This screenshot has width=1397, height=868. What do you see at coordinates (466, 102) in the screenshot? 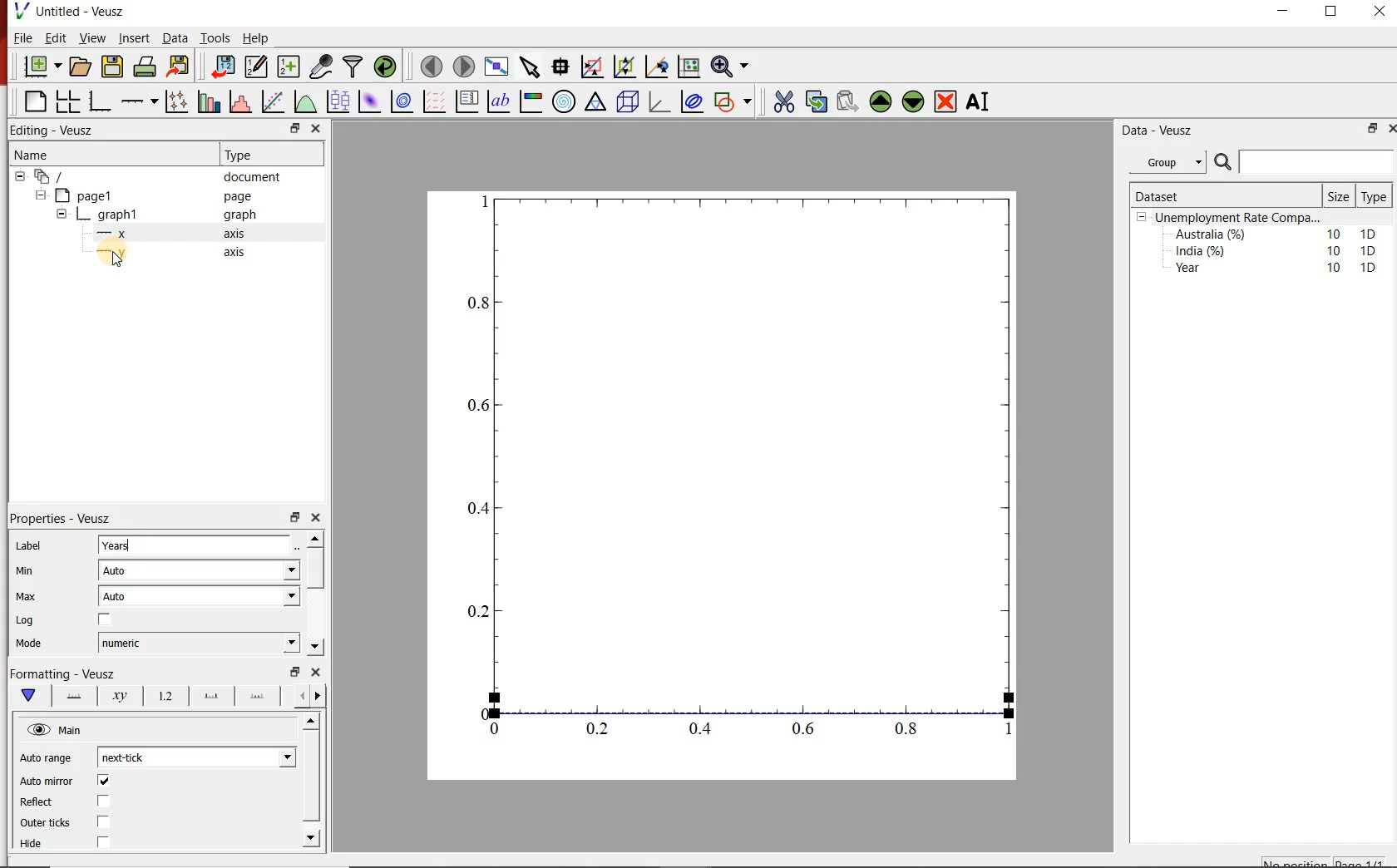
I see `plot key` at bounding box center [466, 102].